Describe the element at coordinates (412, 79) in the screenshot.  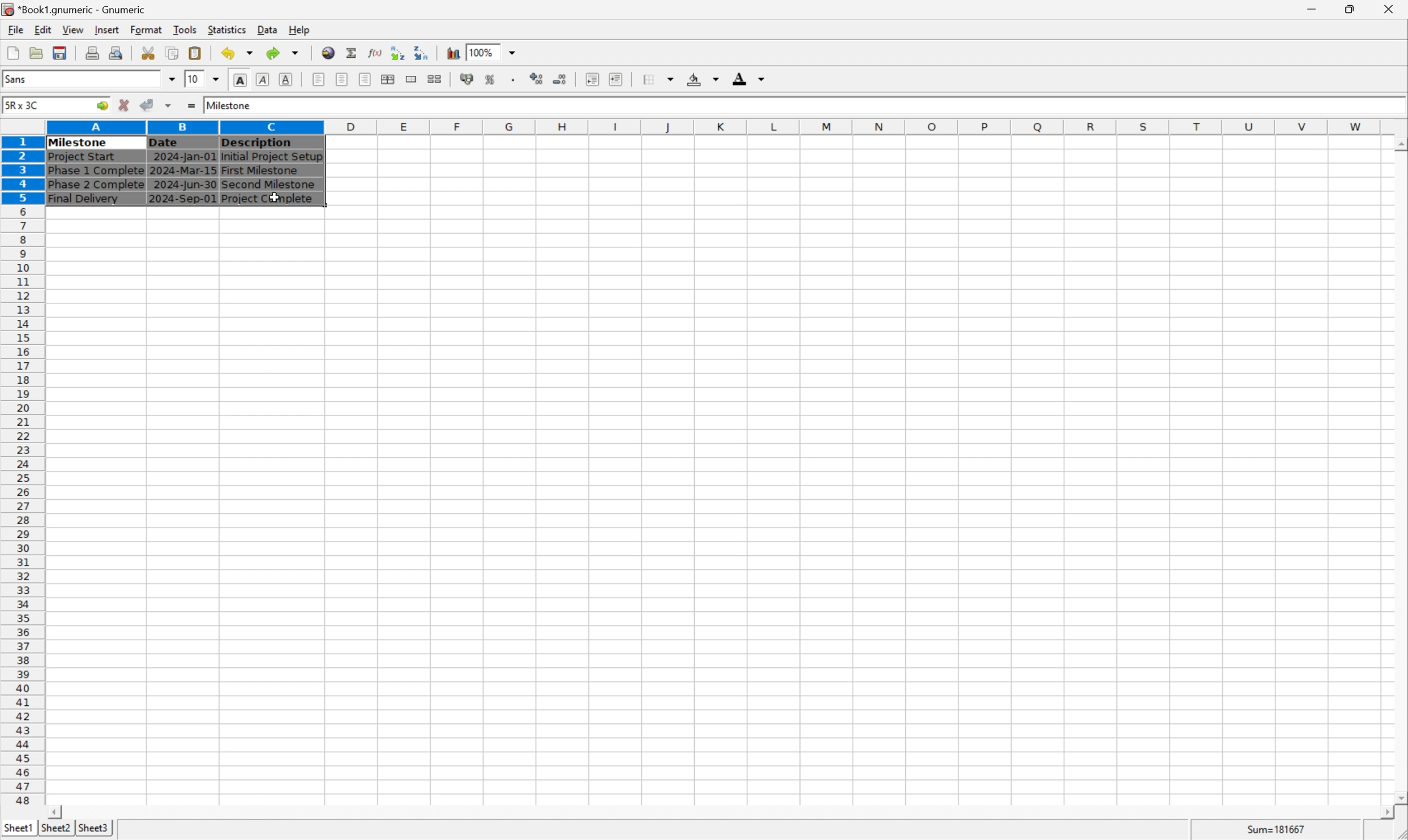
I see `merge a range of cells` at that location.